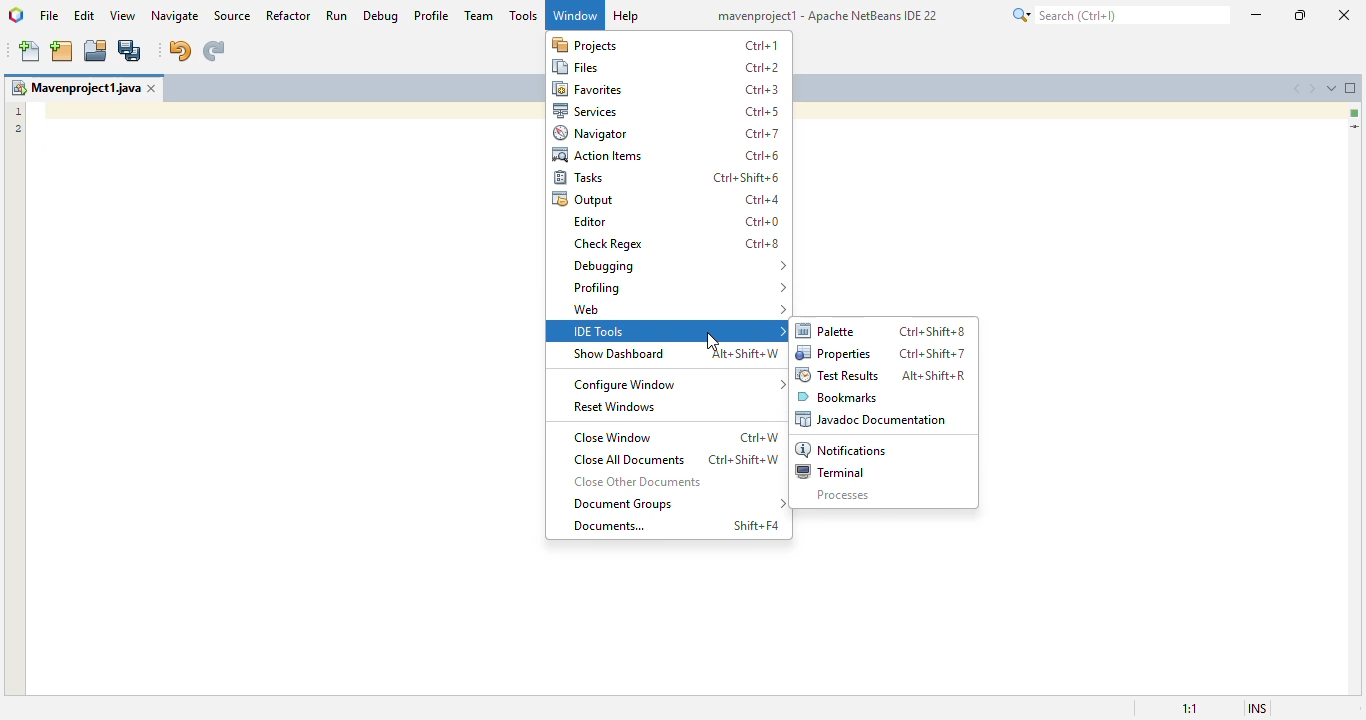  I want to click on shortcut for close all documents, so click(743, 459).